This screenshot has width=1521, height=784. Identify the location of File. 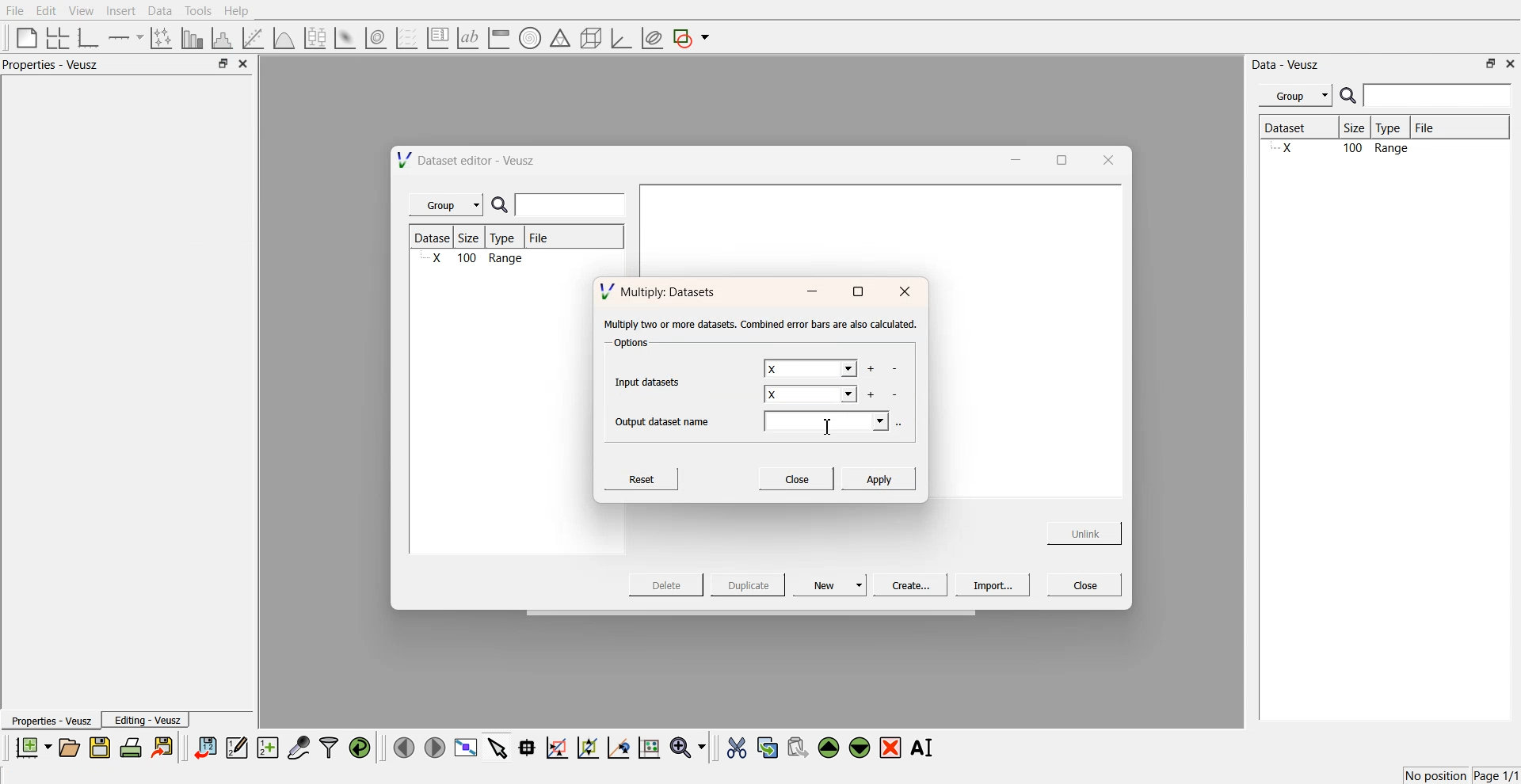
(540, 240).